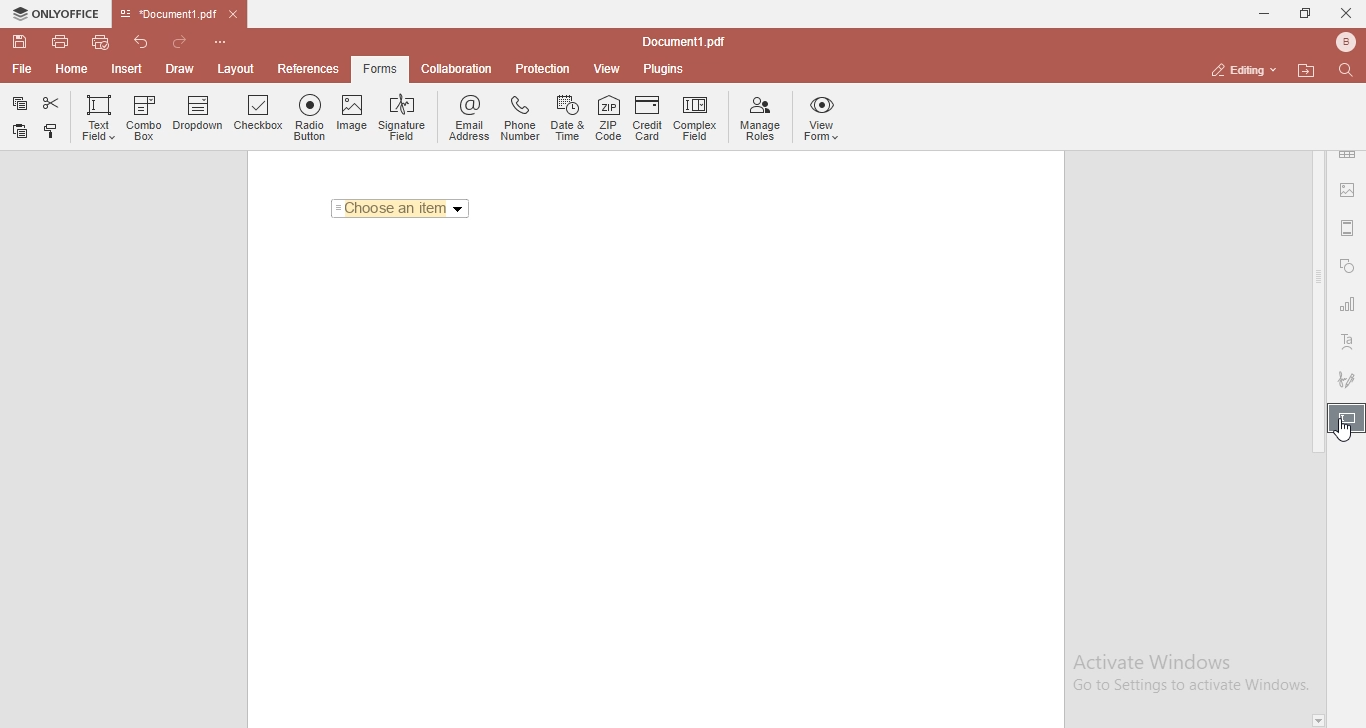  I want to click on margin, so click(1348, 226).